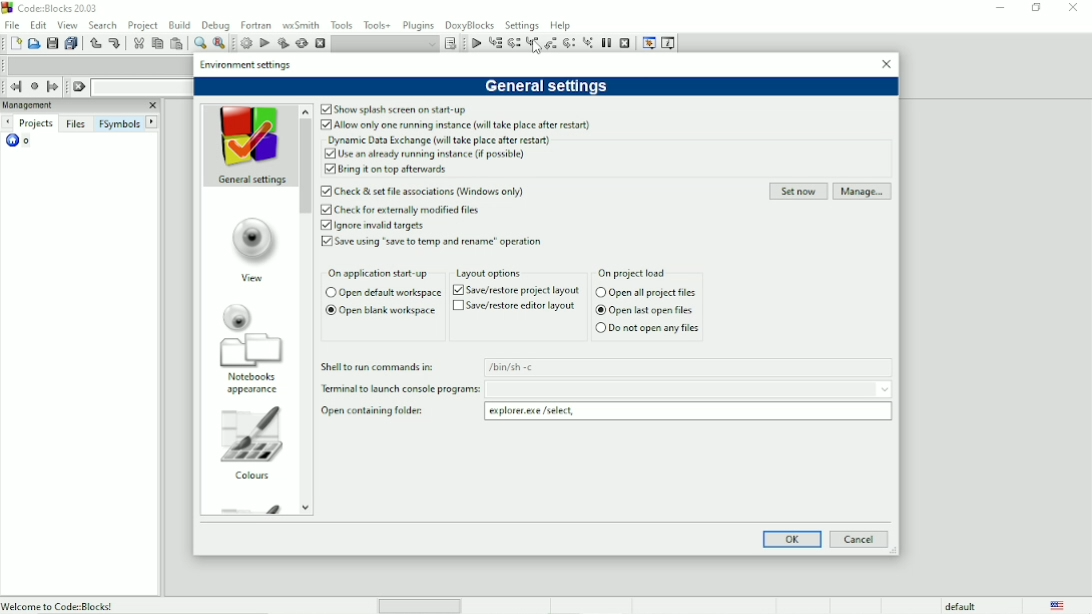 This screenshot has width=1092, height=614. What do you see at coordinates (642, 310) in the screenshot?
I see `Open last open files` at bounding box center [642, 310].